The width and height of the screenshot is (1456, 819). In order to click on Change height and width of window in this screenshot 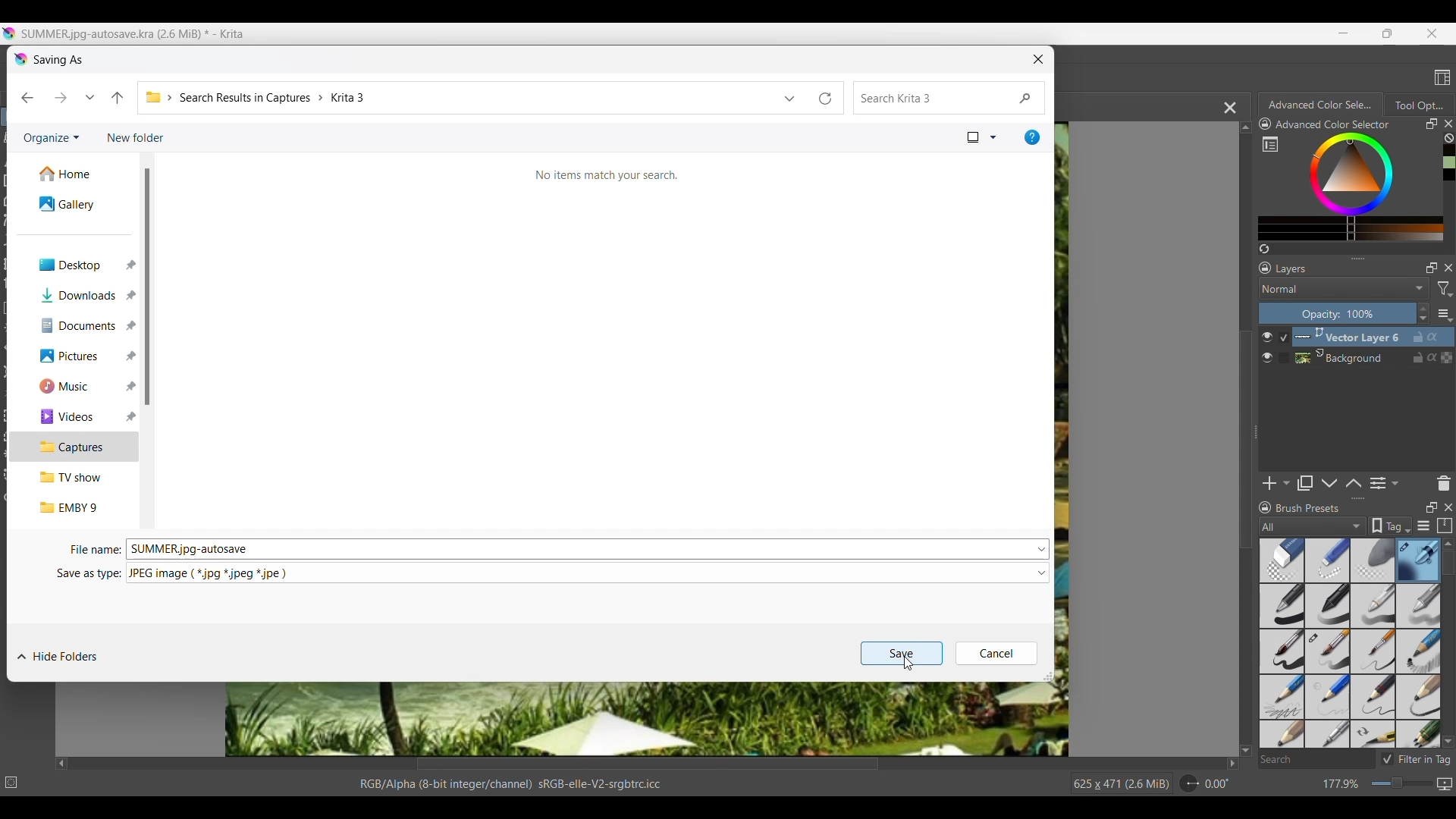, I will do `click(1048, 676)`.